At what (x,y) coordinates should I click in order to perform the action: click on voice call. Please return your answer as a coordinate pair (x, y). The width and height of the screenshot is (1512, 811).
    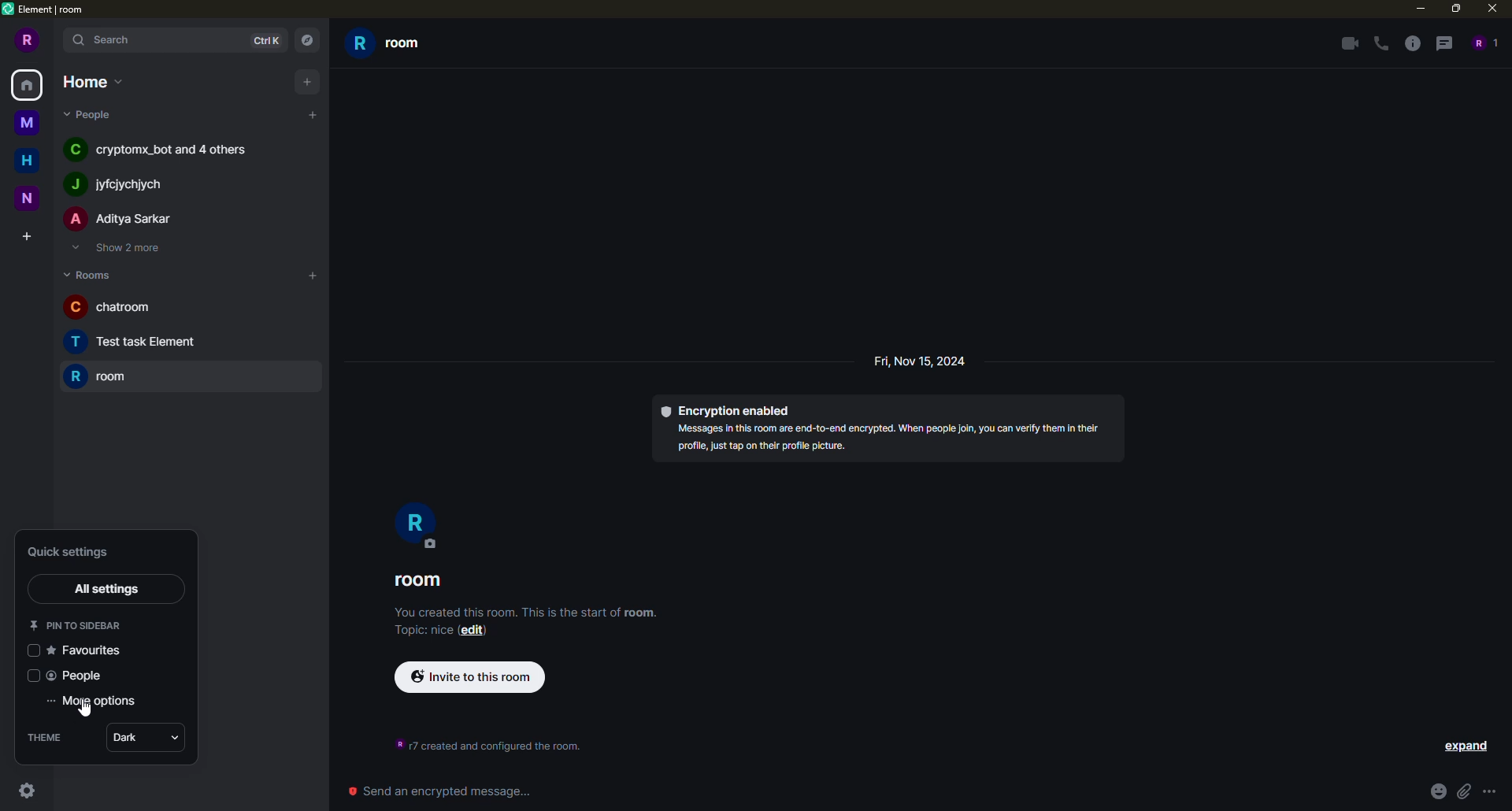
    Looking at the image, I should click on (1380, 43).